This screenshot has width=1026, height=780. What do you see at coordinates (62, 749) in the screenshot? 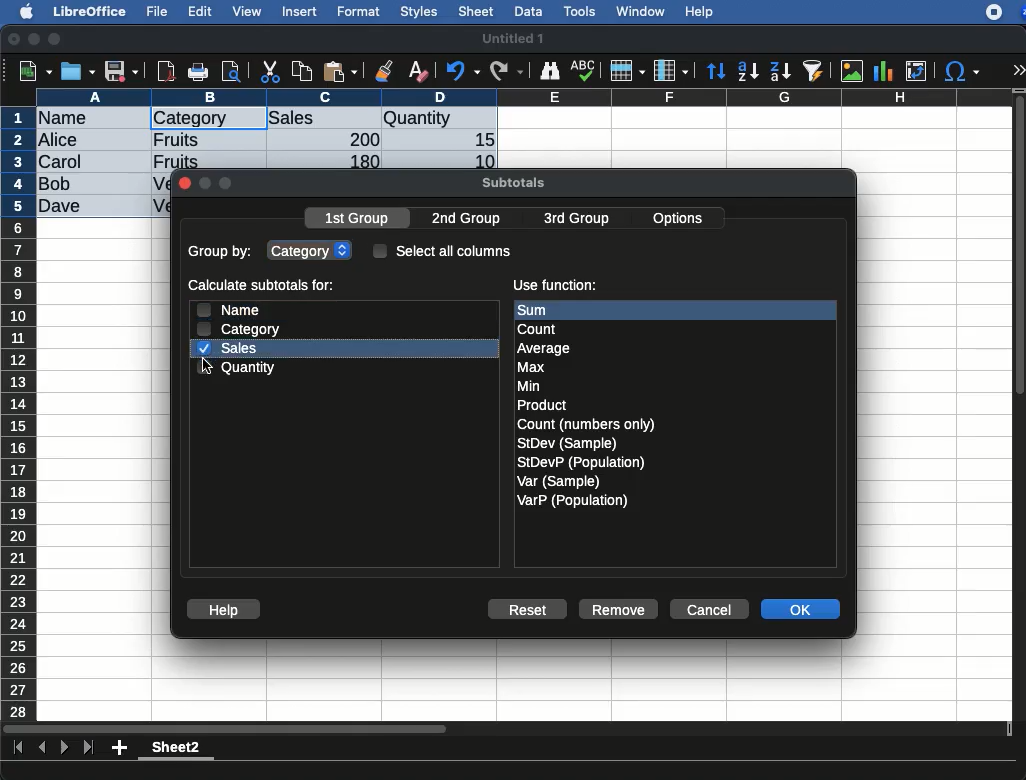
I see `next sheet` at bounding box center [62, 749].